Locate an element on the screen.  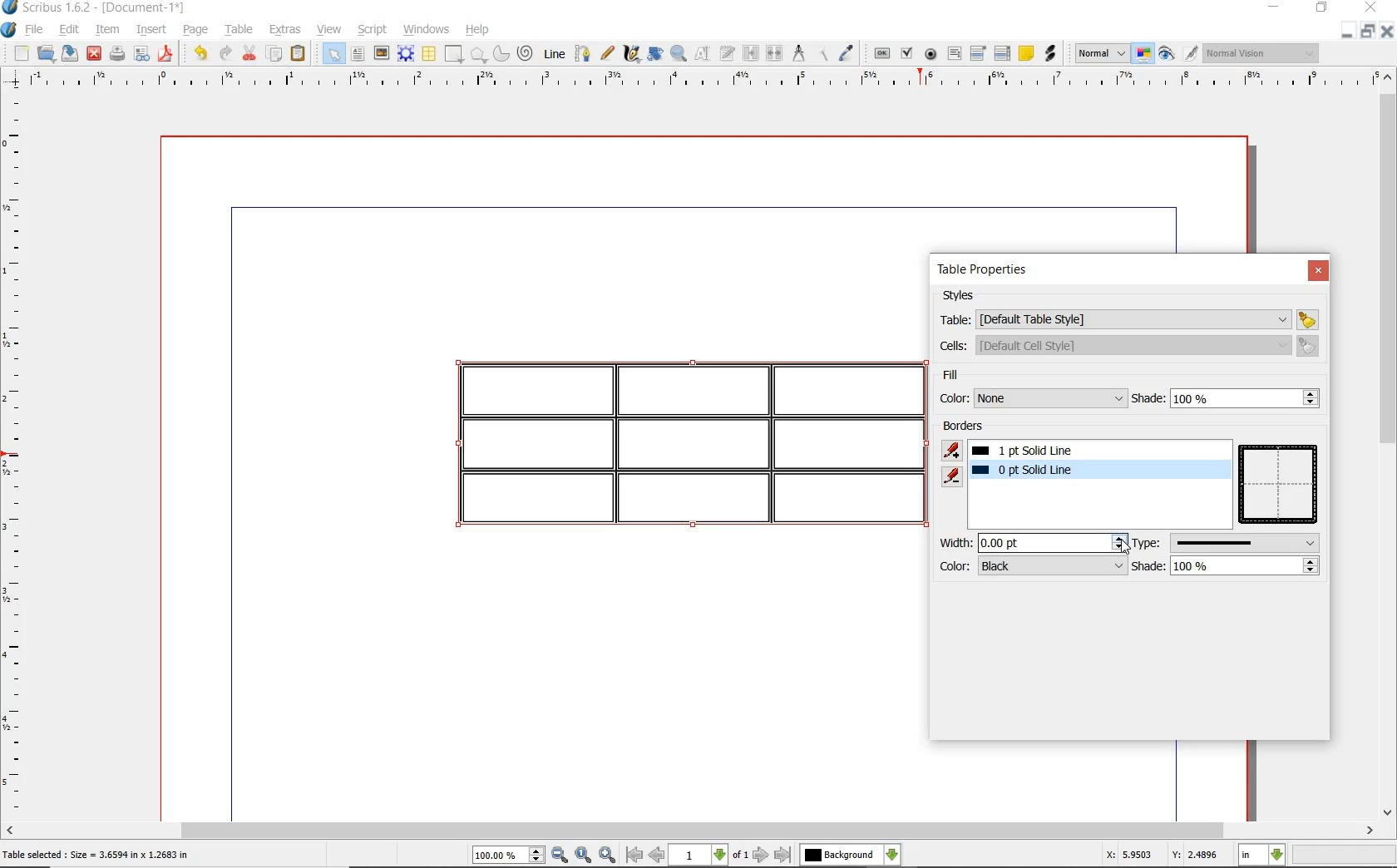
select current unit is located at coordinates (1261, 856).